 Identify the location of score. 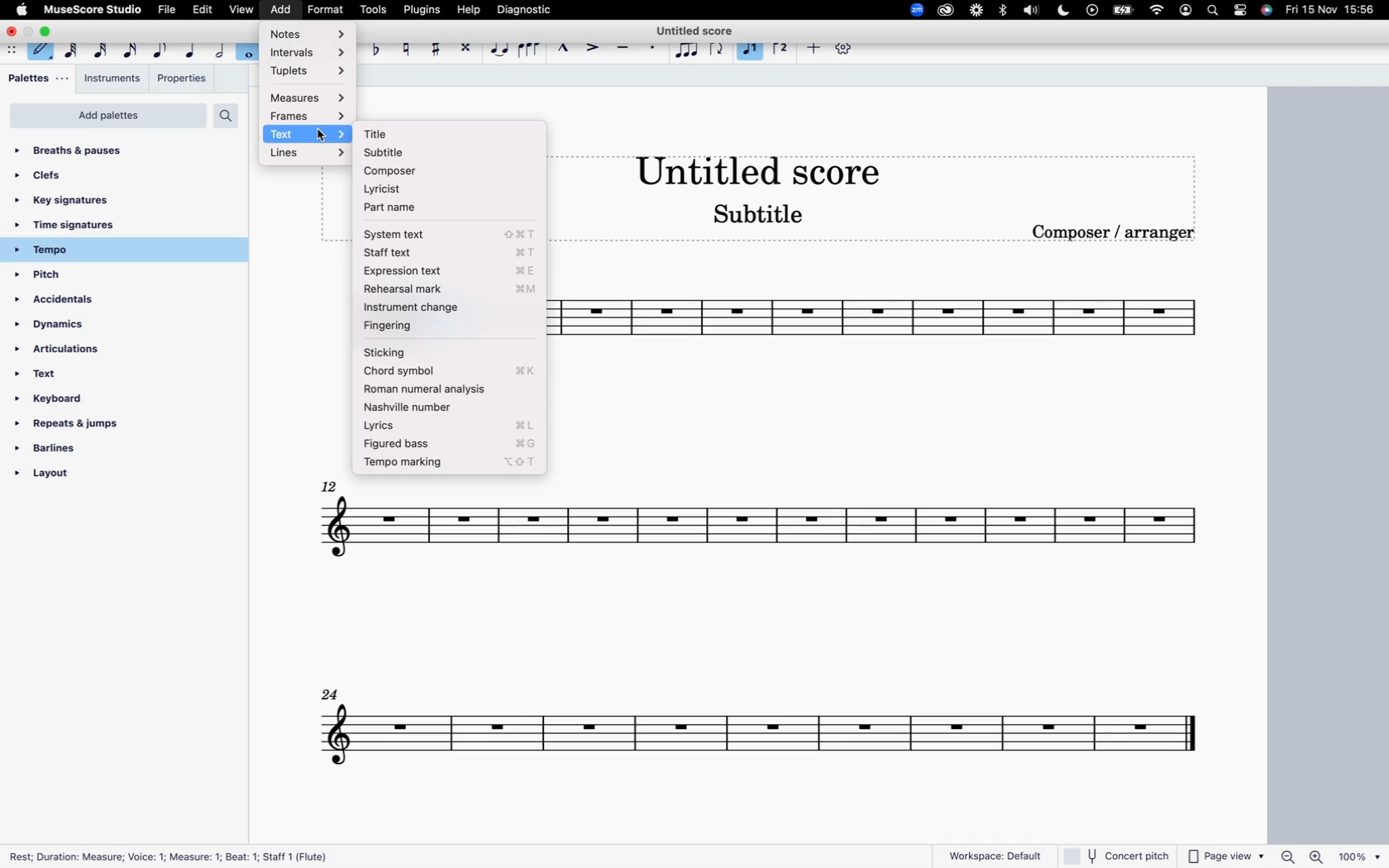
(765, 537).